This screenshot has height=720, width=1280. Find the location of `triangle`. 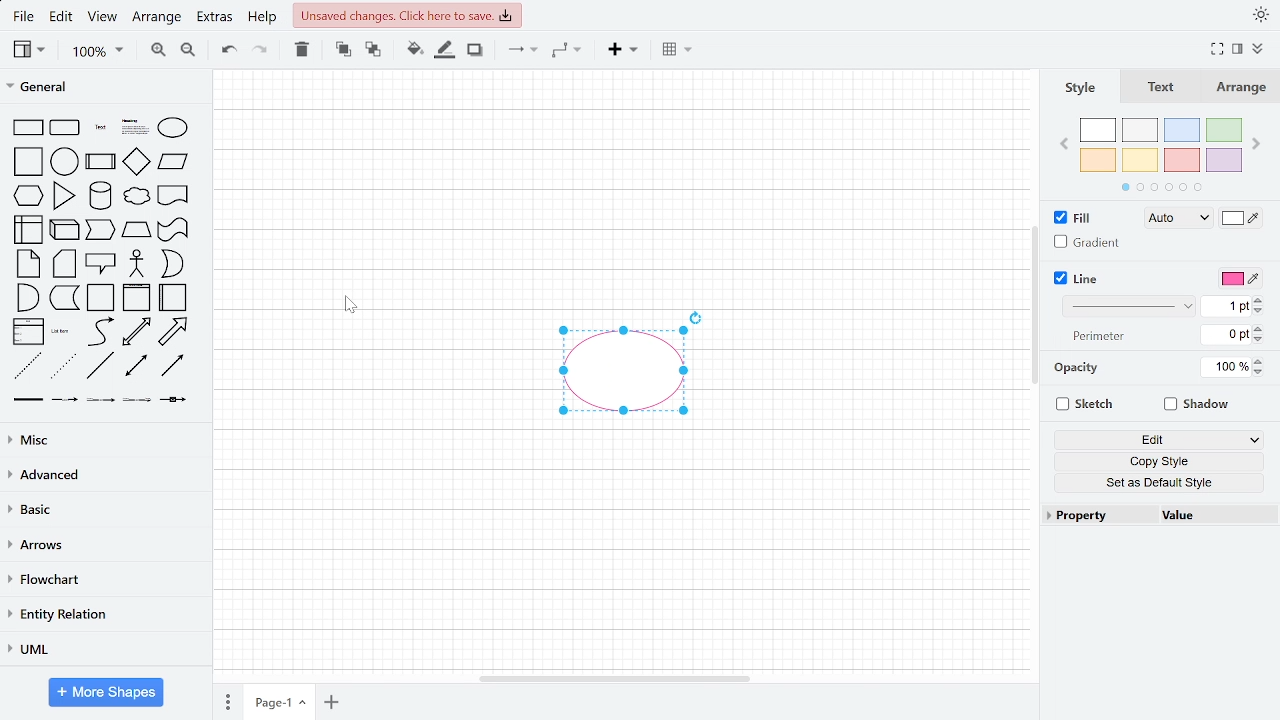

triangle is located at coordinates (64, 196).